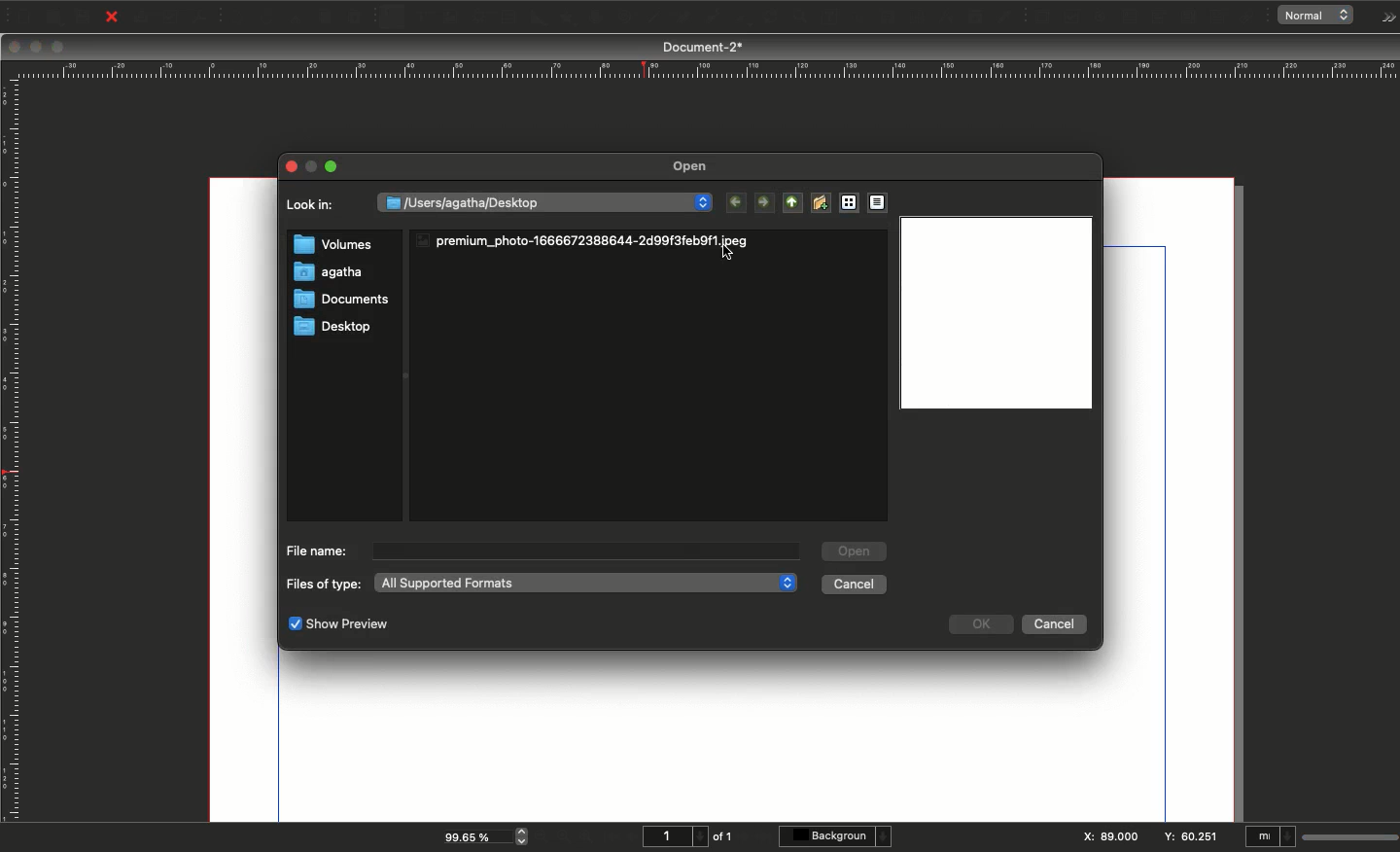 Image resolution: width=1400 pixels, height=852 pixels. Describe the element at coordinates (1040, 17) in the screenshot. I see `PDF push button` at that location.